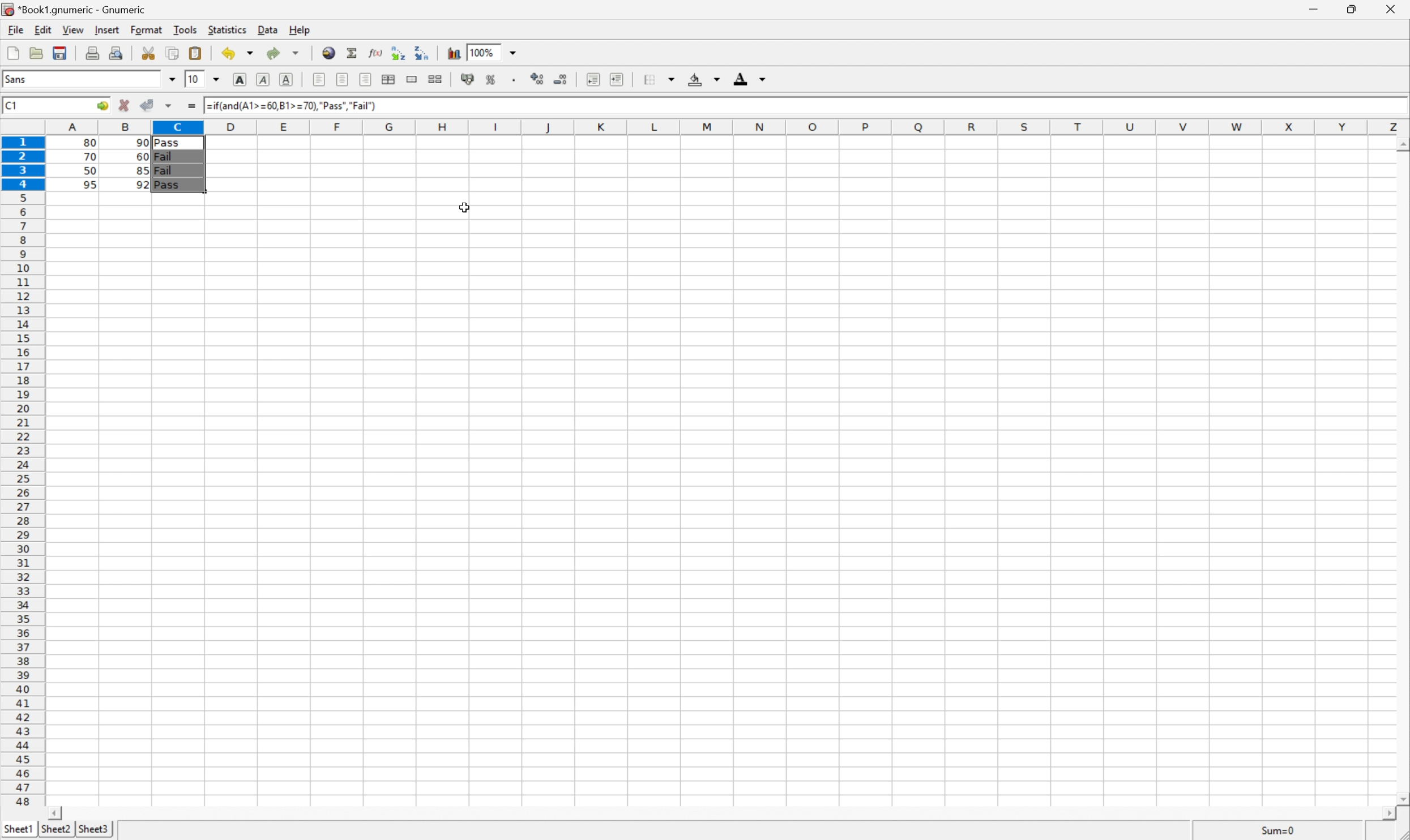 Image resolution: width=1410 pixels, height=840 pixels. Describe the element at coordinates (87, 172) in the screenshot. I see `50` at that location.